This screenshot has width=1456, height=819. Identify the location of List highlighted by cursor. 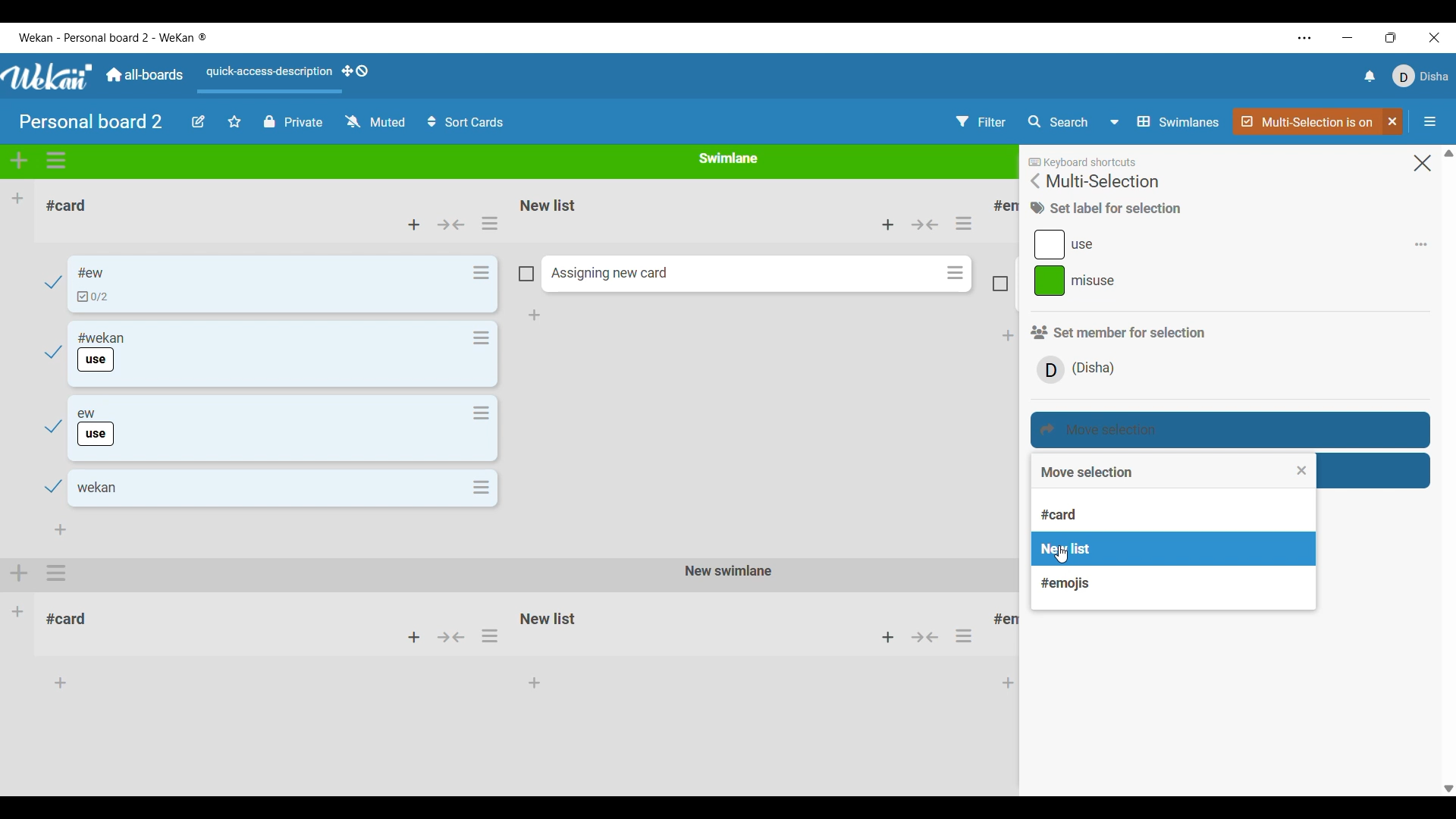
(1203, 553).